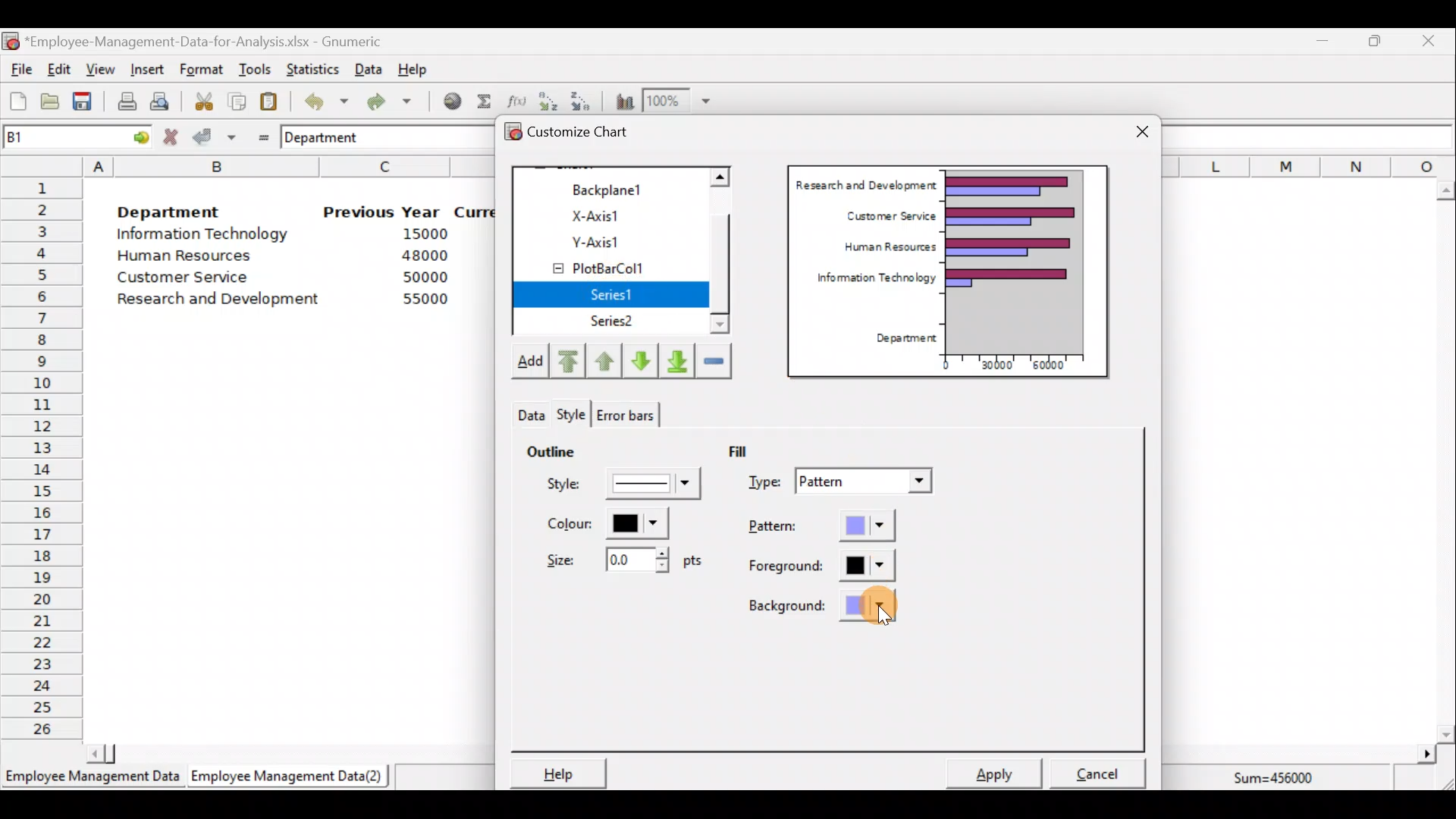 The width and height of the screenshot is (1456, 819). I want to click on Remove, so click(714, 359).